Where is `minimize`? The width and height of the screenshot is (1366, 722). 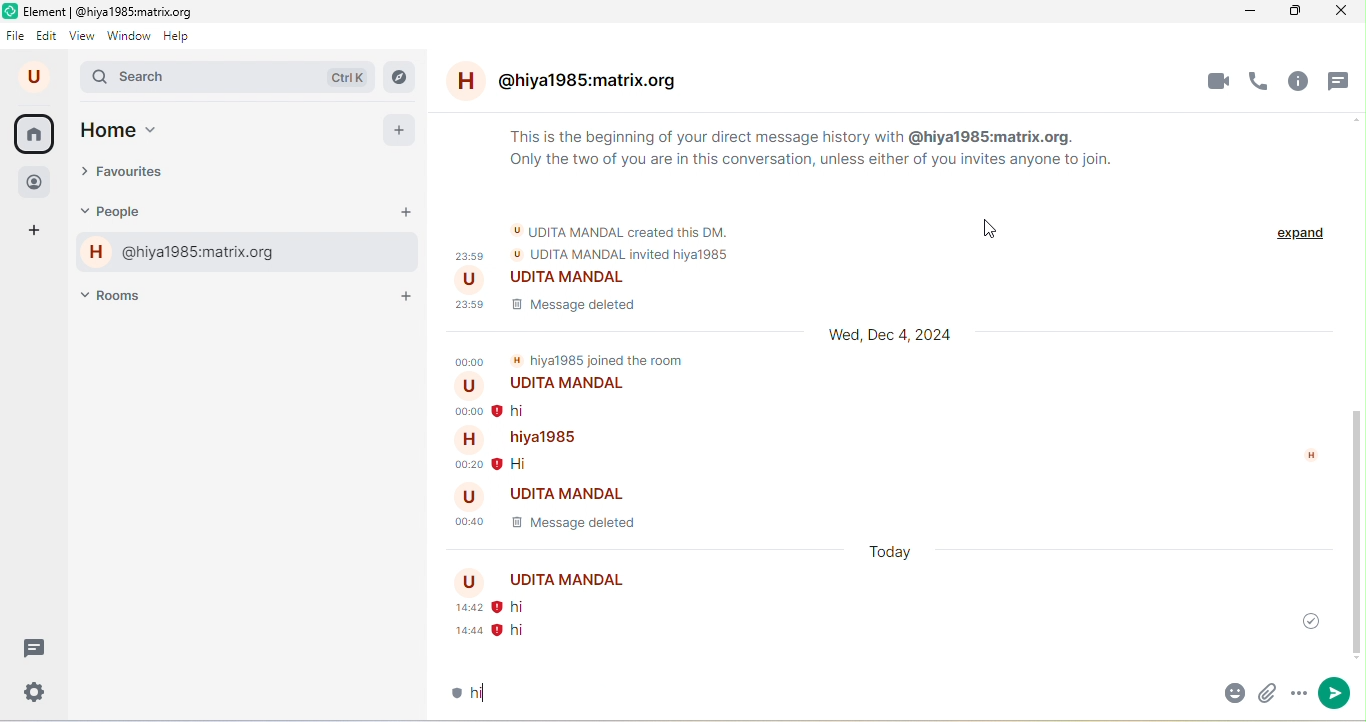 minimize is located at coordinates (1240, 12).